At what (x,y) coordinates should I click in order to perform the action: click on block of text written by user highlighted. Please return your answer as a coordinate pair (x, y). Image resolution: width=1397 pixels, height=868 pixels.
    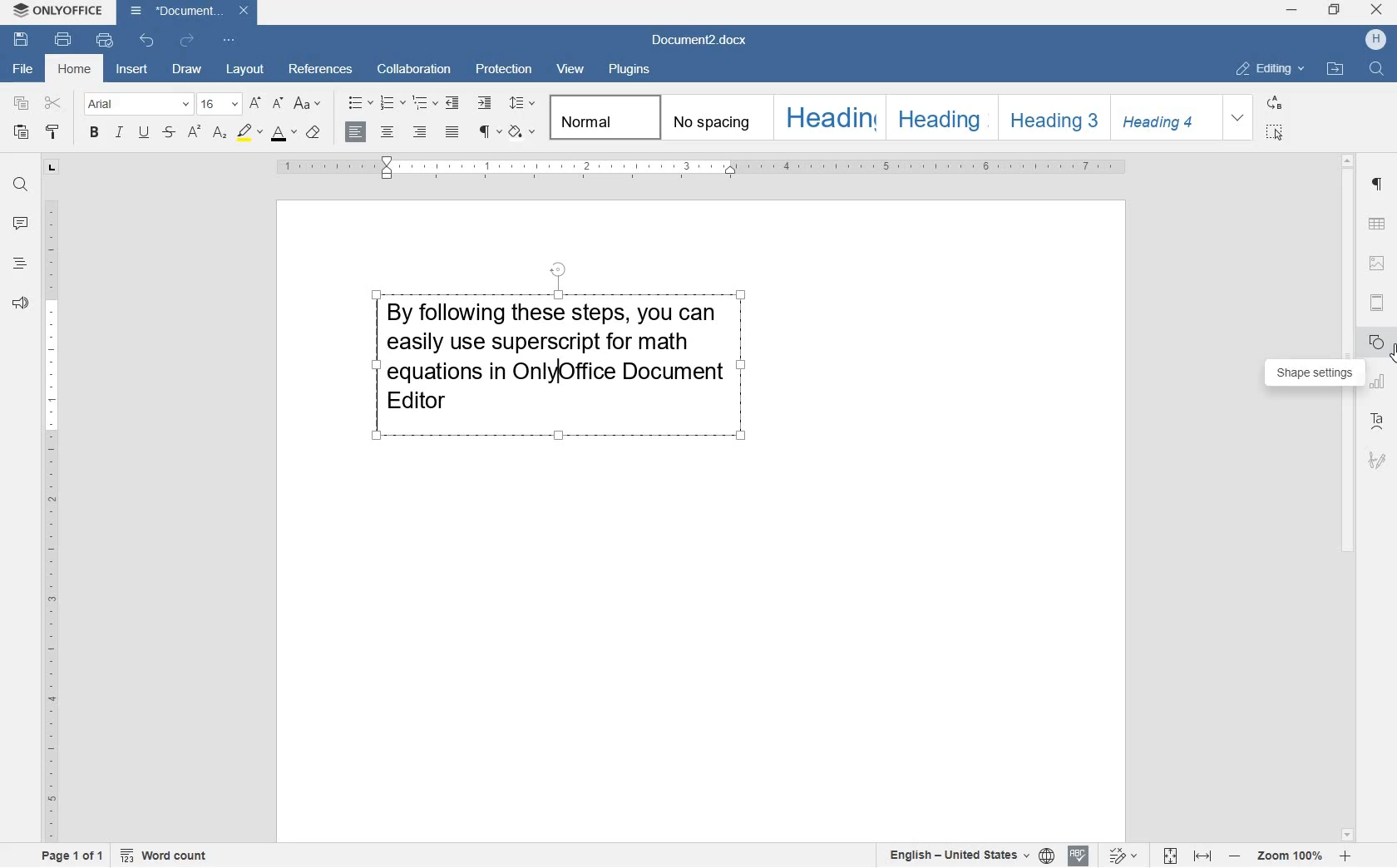
    Looking at the image, I should click on (559, 353).